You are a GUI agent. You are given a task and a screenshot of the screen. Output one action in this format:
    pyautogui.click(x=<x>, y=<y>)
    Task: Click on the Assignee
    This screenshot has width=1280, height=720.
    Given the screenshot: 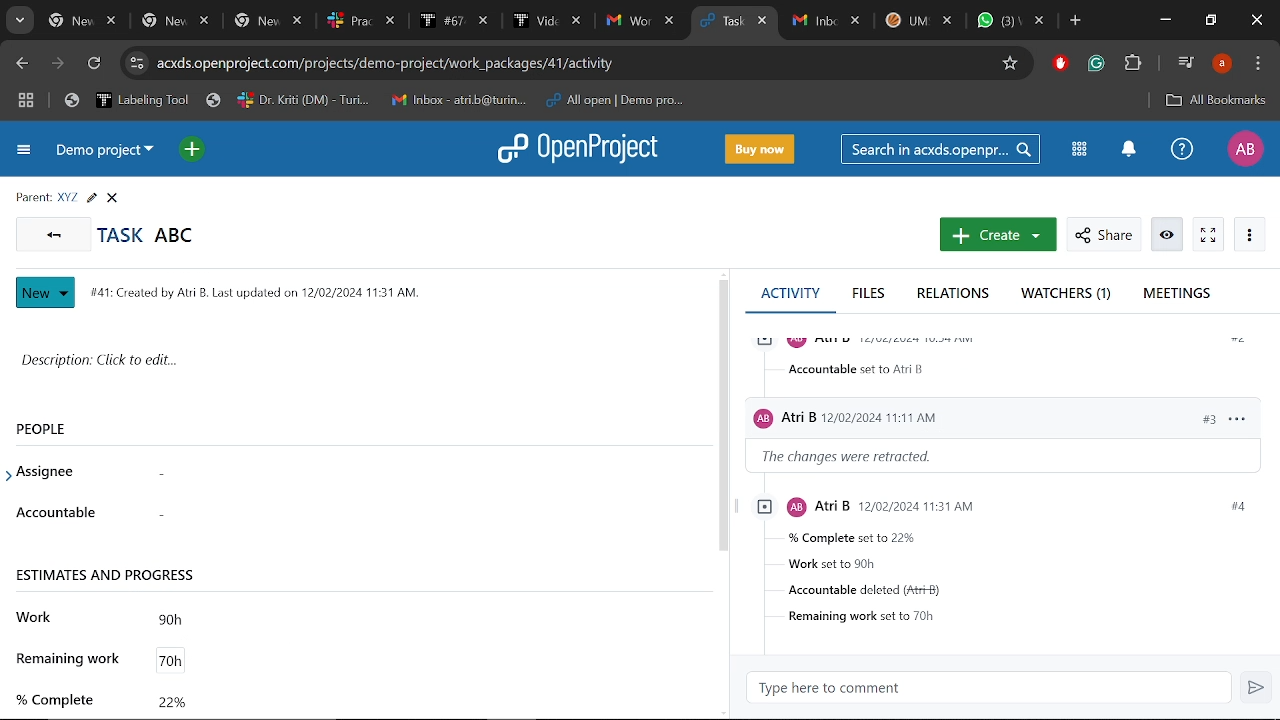 What is the action you would take?
    pyautogui.click(x=404, y=468)
    